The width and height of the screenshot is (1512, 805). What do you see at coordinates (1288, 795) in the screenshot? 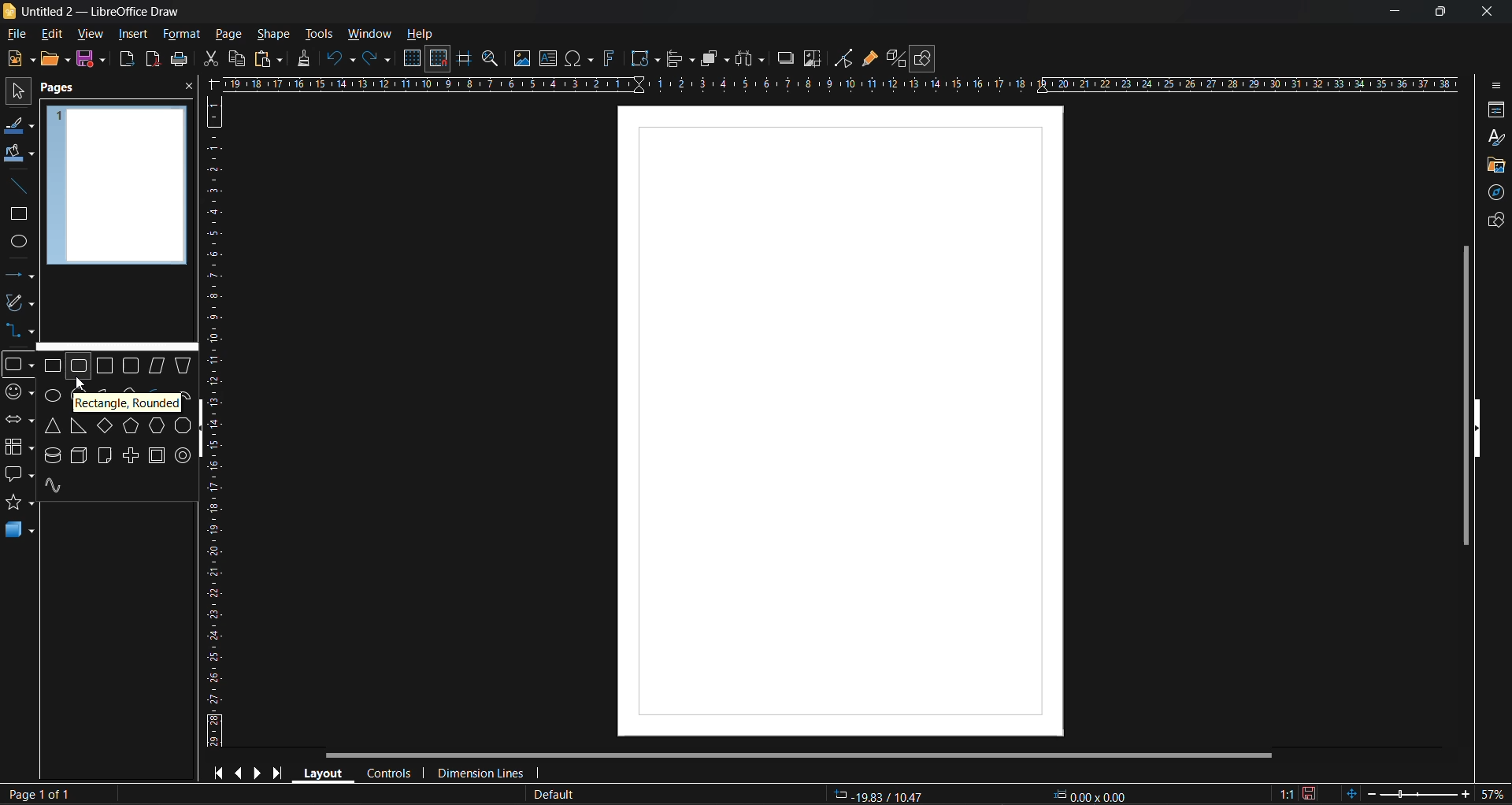
I see `scaling factor` at bounding box center [1288, 795].